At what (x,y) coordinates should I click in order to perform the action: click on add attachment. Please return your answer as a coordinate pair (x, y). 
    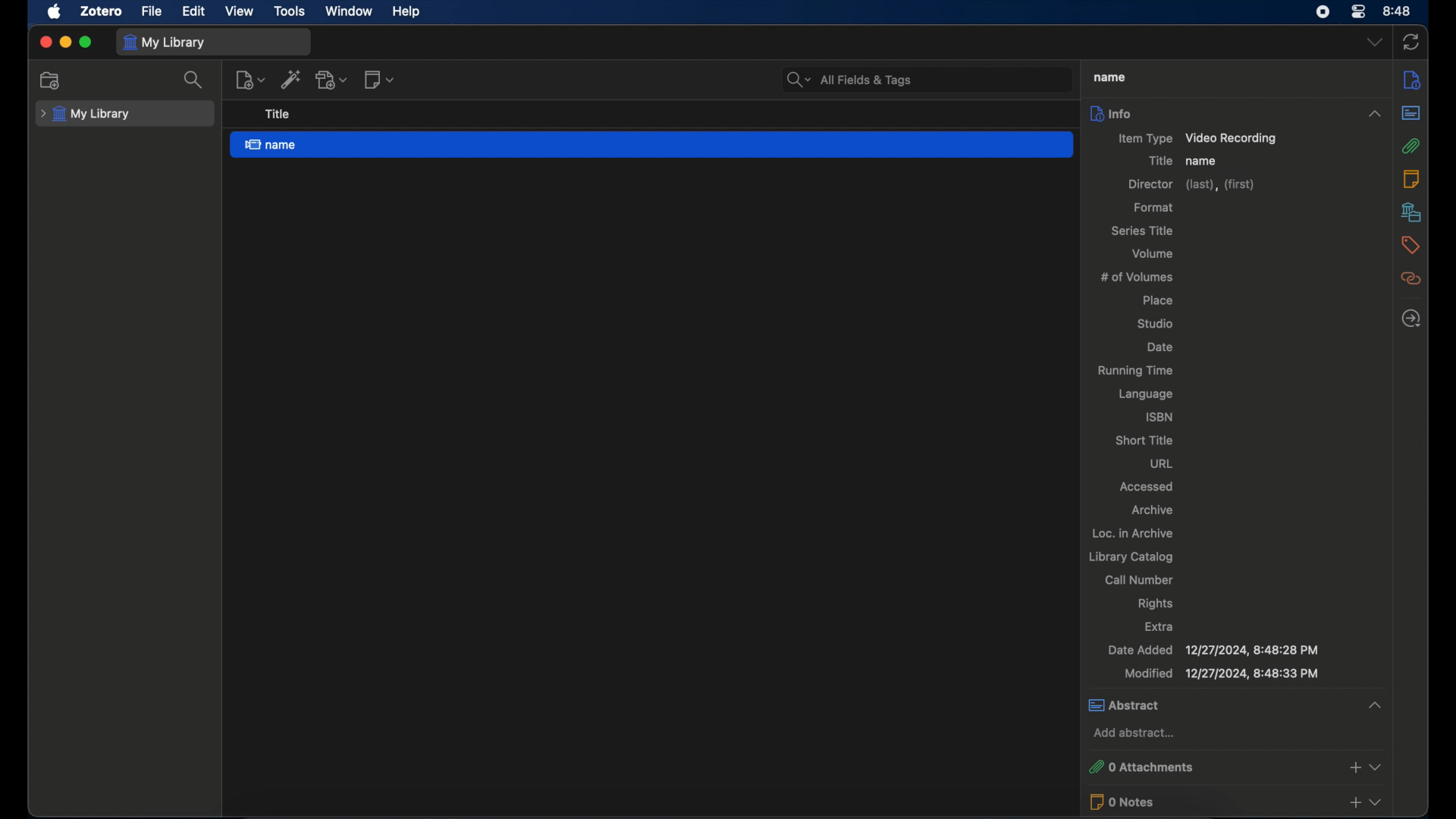
    Looking at the image, I should click on (332, 79).